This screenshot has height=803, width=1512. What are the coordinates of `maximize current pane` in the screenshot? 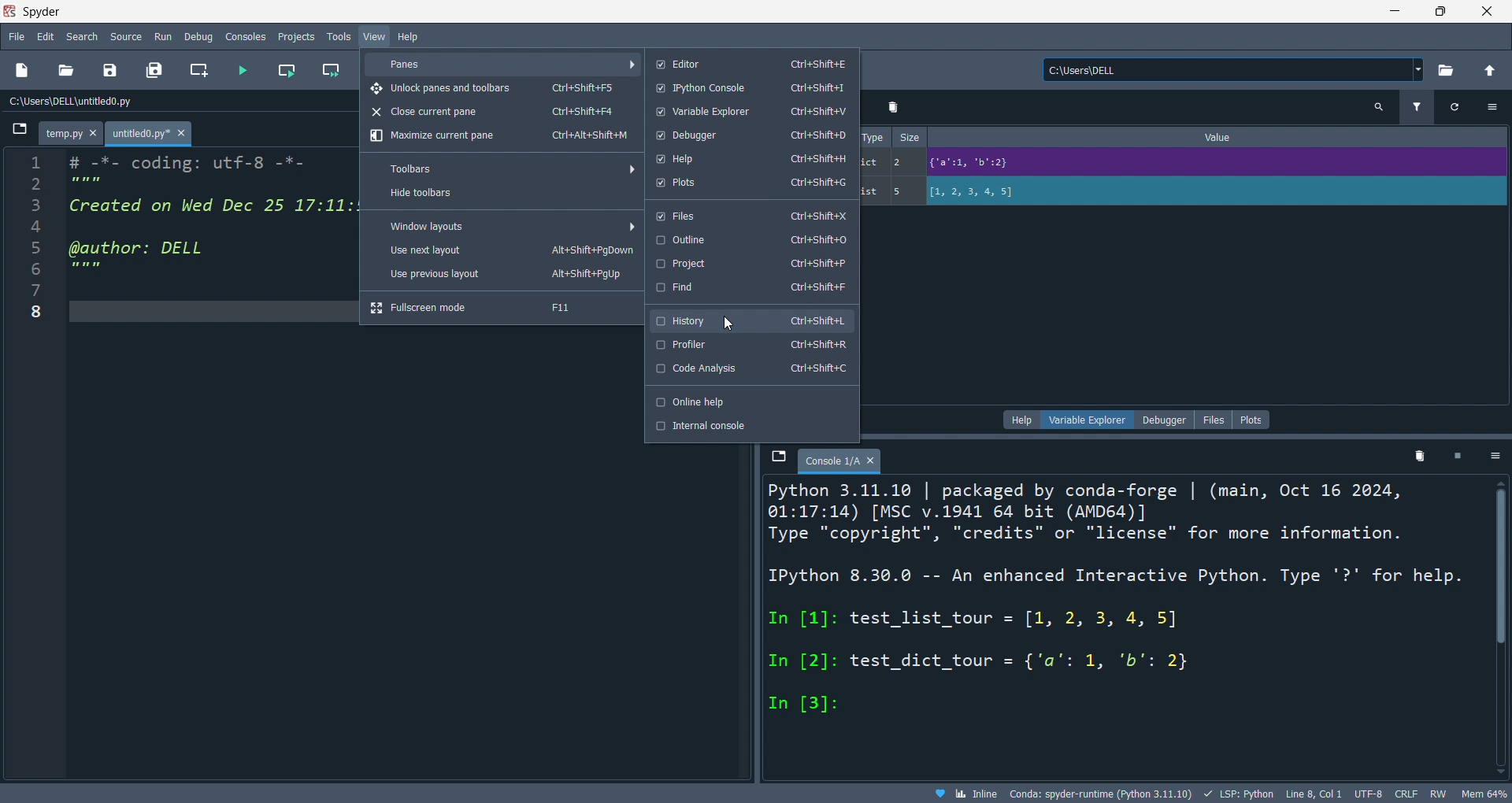 It's located at (498, 137).